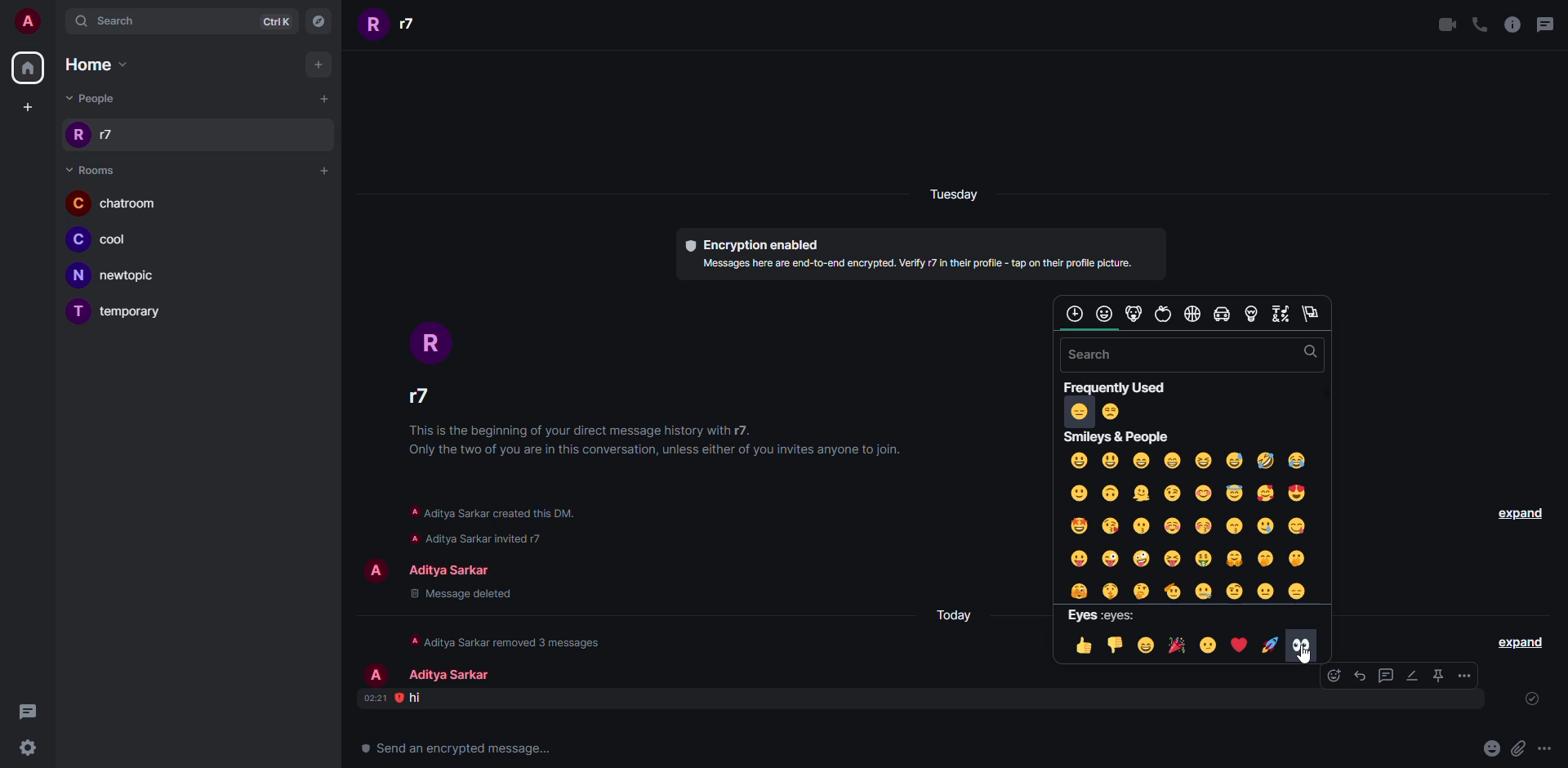 The image size is (1568, 768). Describe the element at coordinates (1465, 675) in the screenshot. I see `options` at that location.